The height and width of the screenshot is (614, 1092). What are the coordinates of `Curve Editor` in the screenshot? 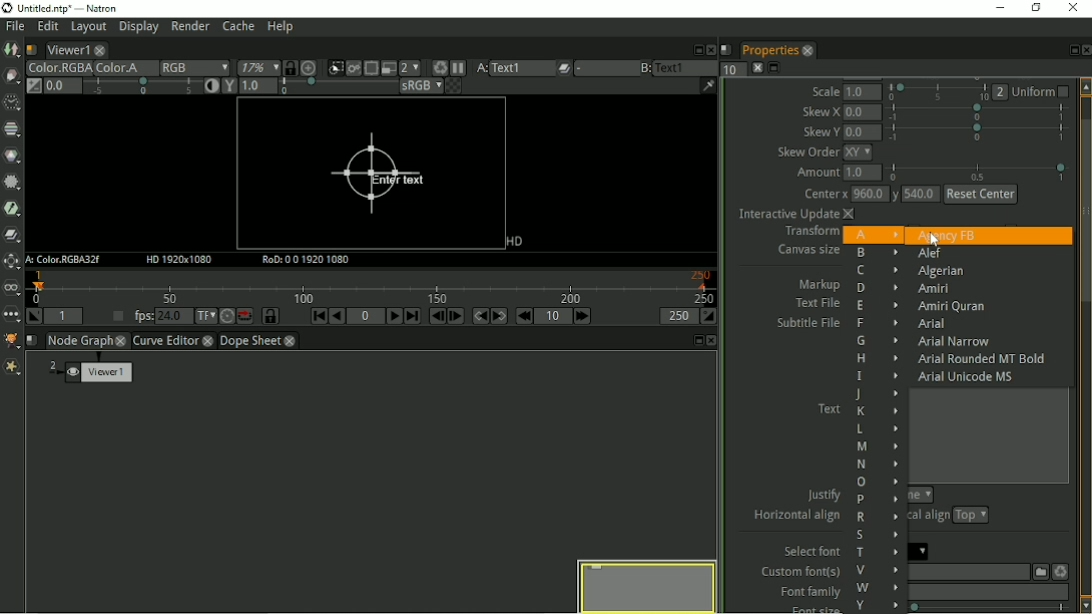 It's located at (165, 342).